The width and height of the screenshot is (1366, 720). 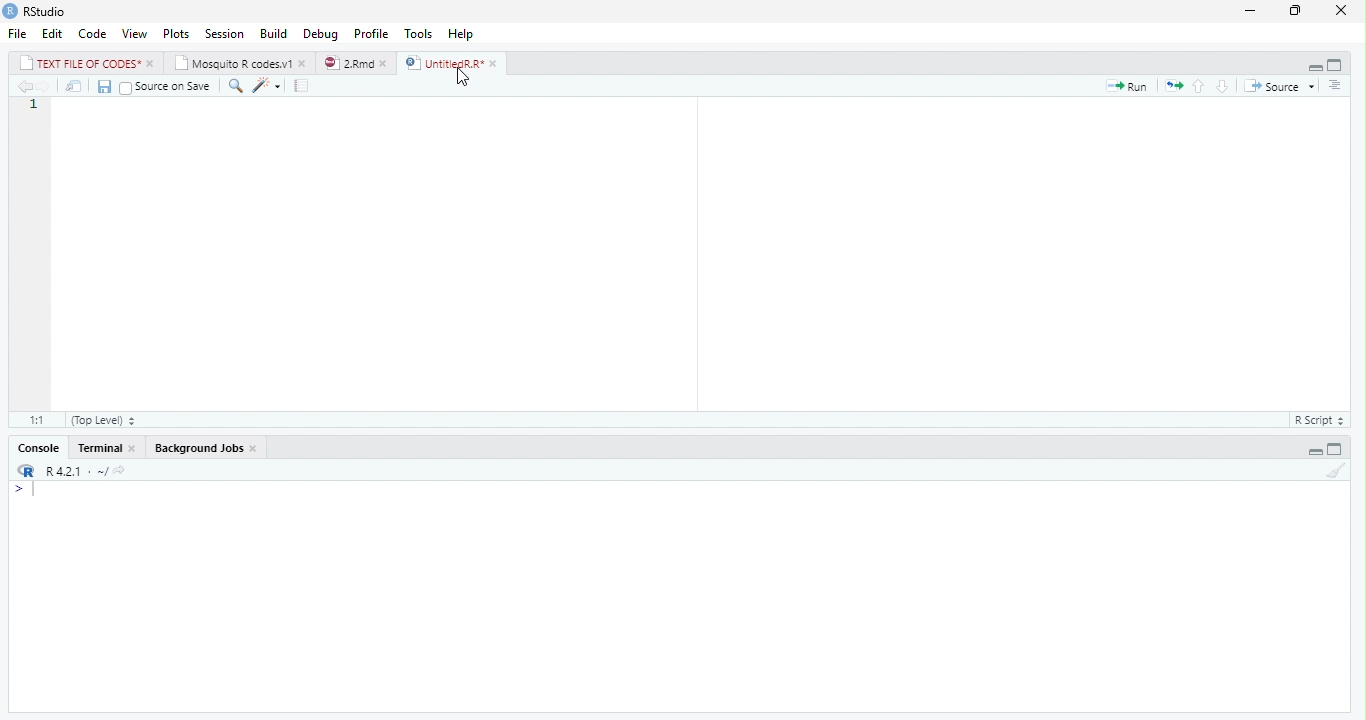 I want to click on R Script, so click(x=1318, y=419).